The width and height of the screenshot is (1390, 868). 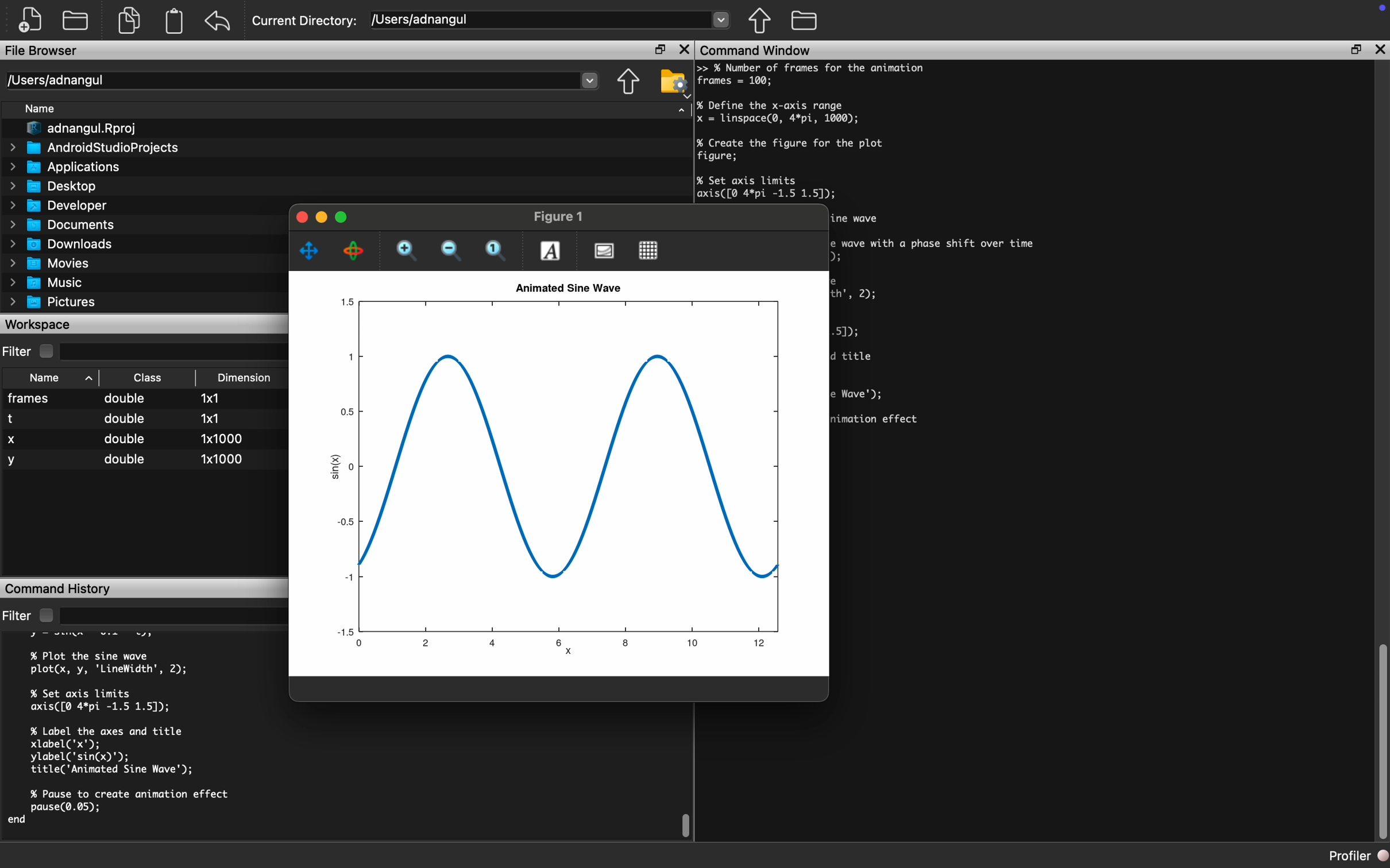 I want to click on minimize, so click(x=299, y=218).